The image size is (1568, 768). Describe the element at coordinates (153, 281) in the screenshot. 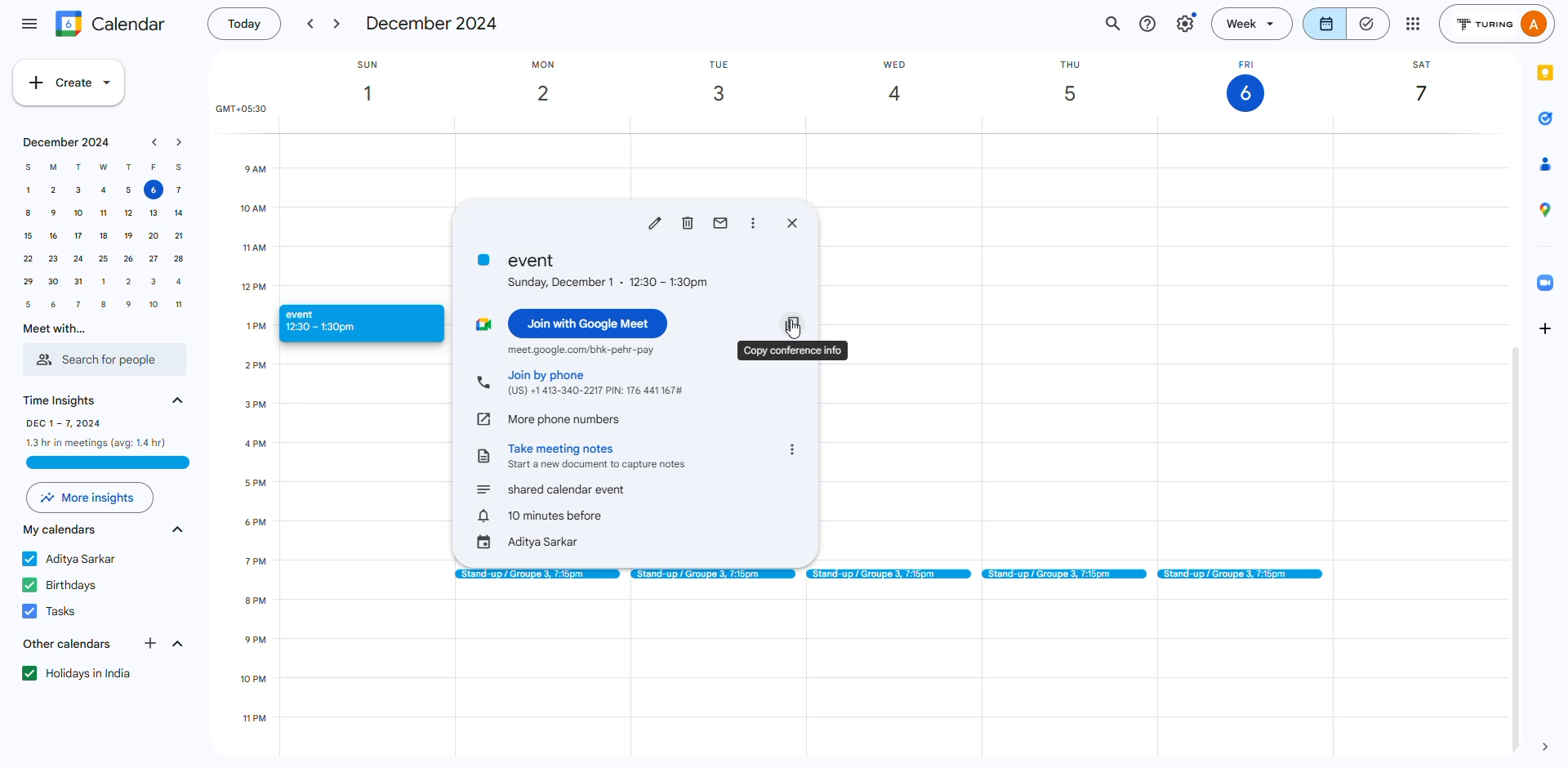

I see `3` at that location.